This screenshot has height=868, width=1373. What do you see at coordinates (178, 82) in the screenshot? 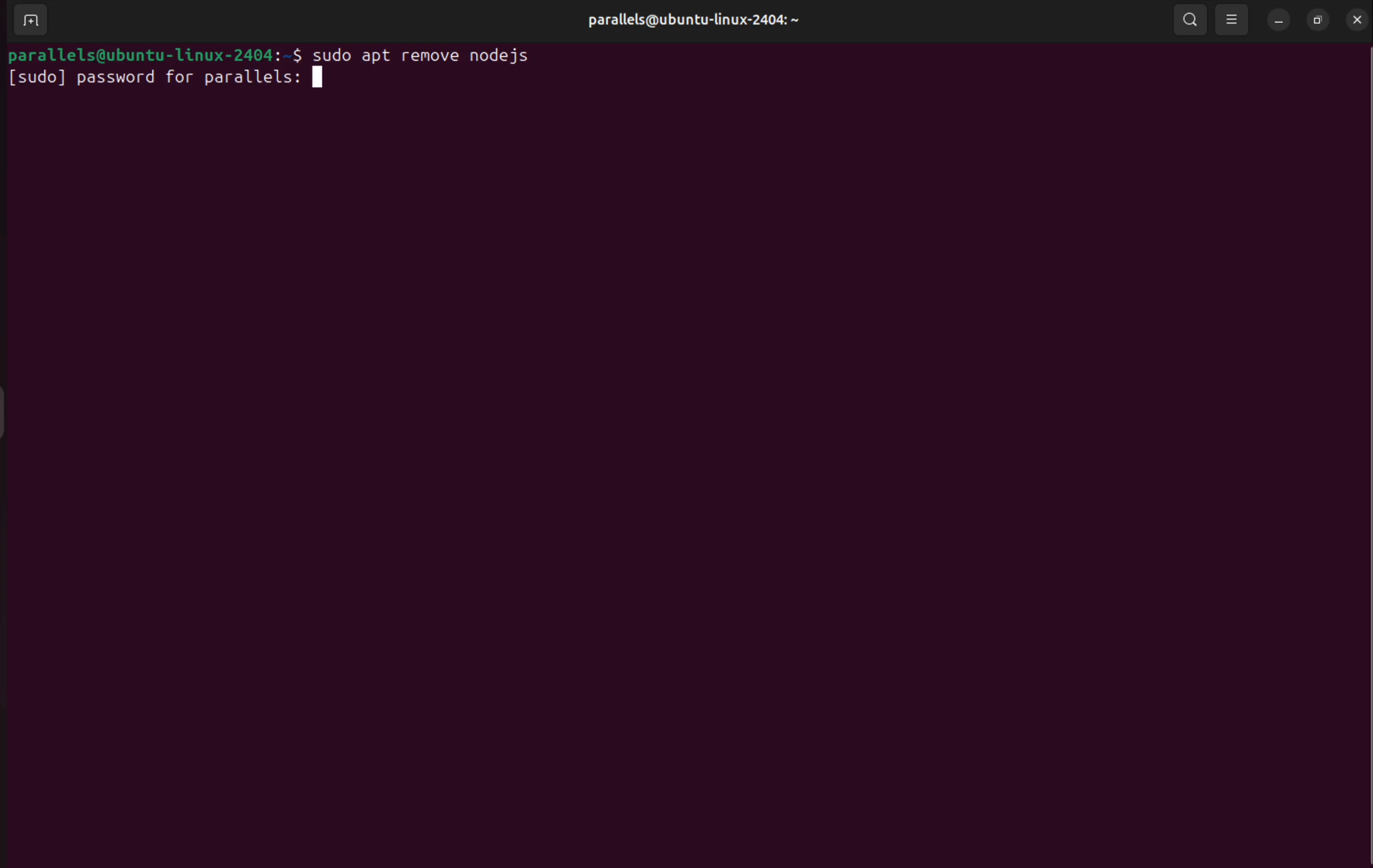
I see `[sudo] password for parallels` at bounding box center [178, 82].